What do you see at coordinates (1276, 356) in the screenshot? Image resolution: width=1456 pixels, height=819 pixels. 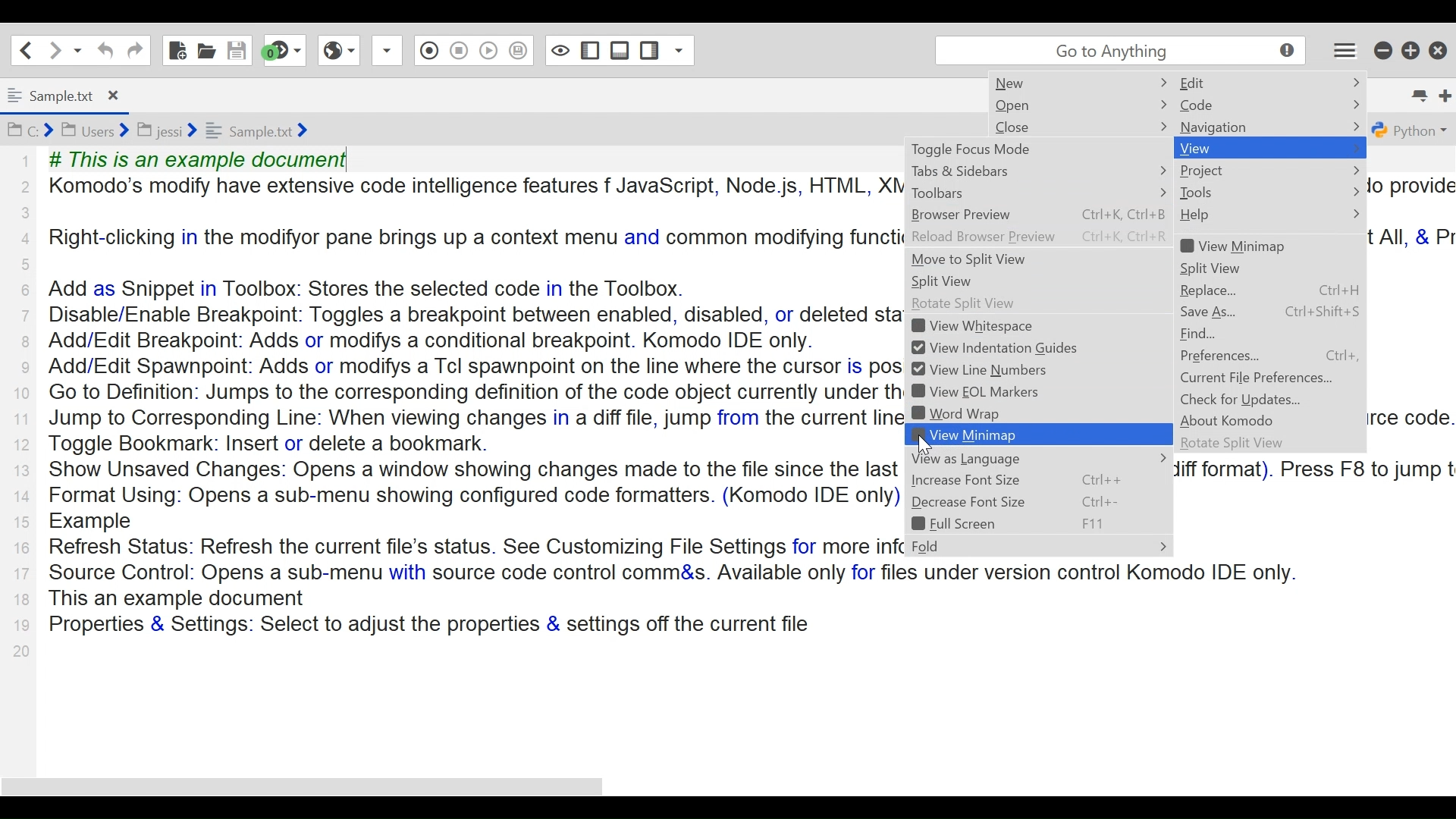 I see `Preferences... Ctrl+,` at bounding box center [1276, 356].